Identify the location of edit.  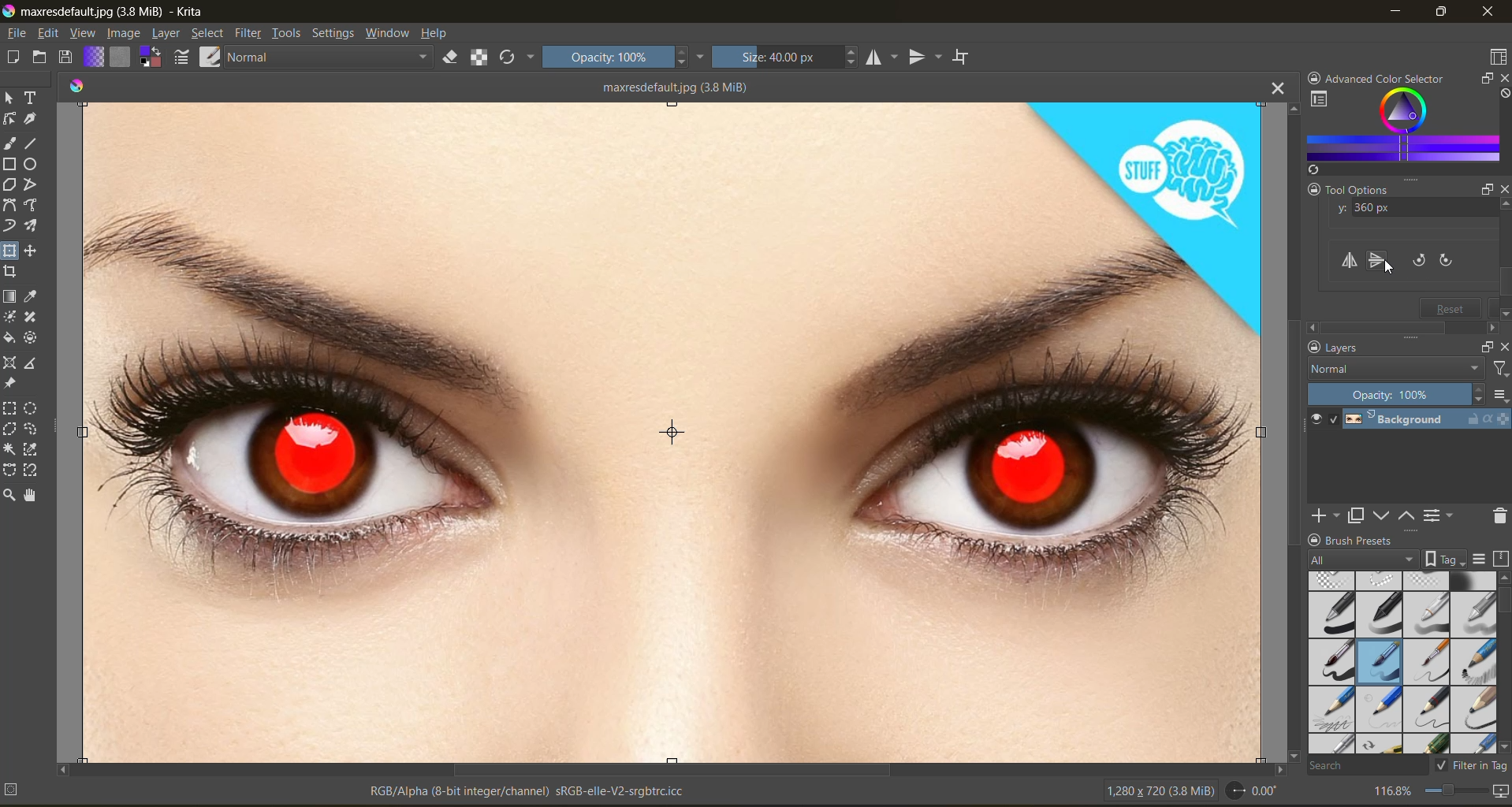
(48, 33).